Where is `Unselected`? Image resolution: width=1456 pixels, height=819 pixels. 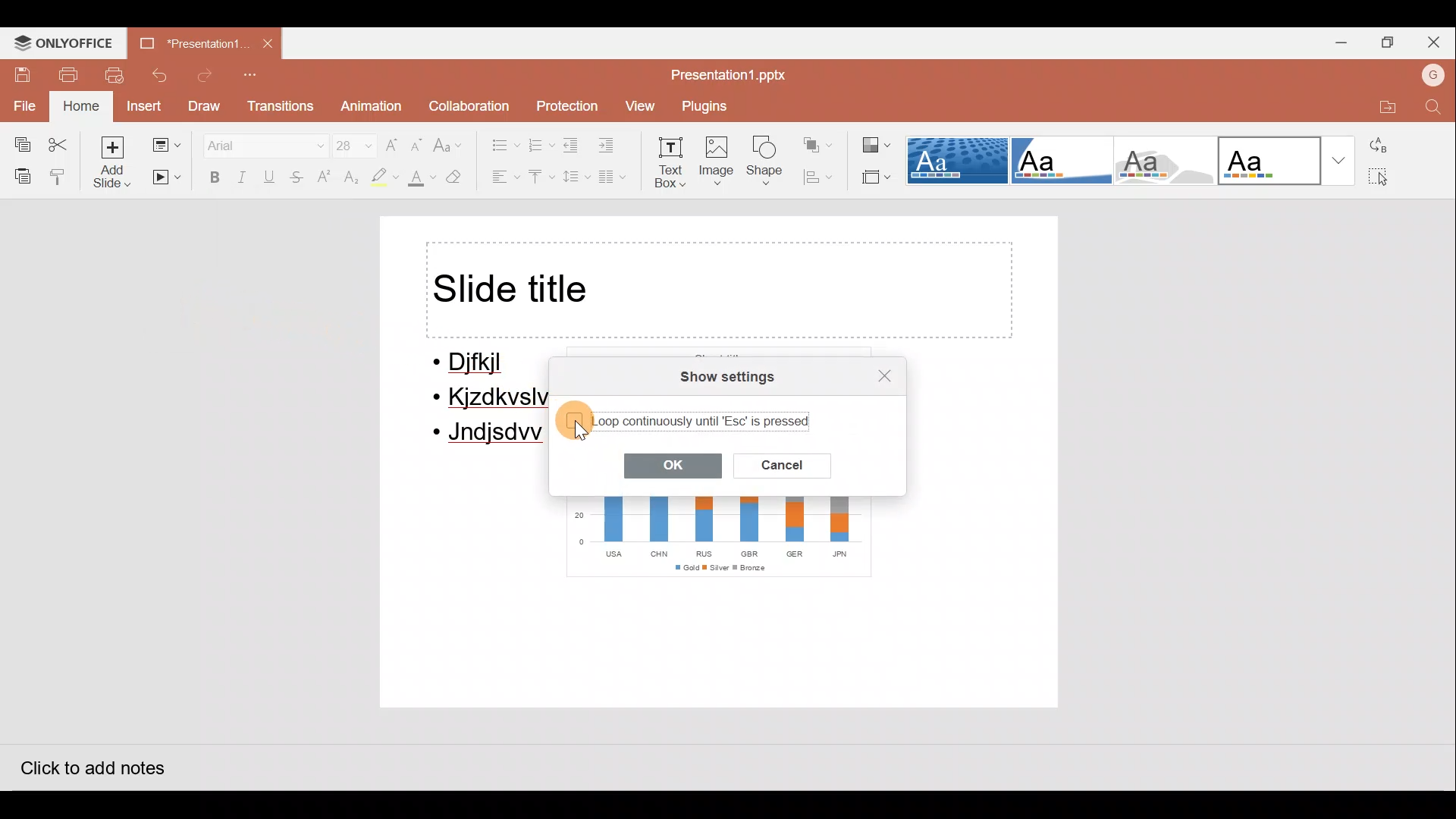 Unselected is located at coordinates (576, 421).